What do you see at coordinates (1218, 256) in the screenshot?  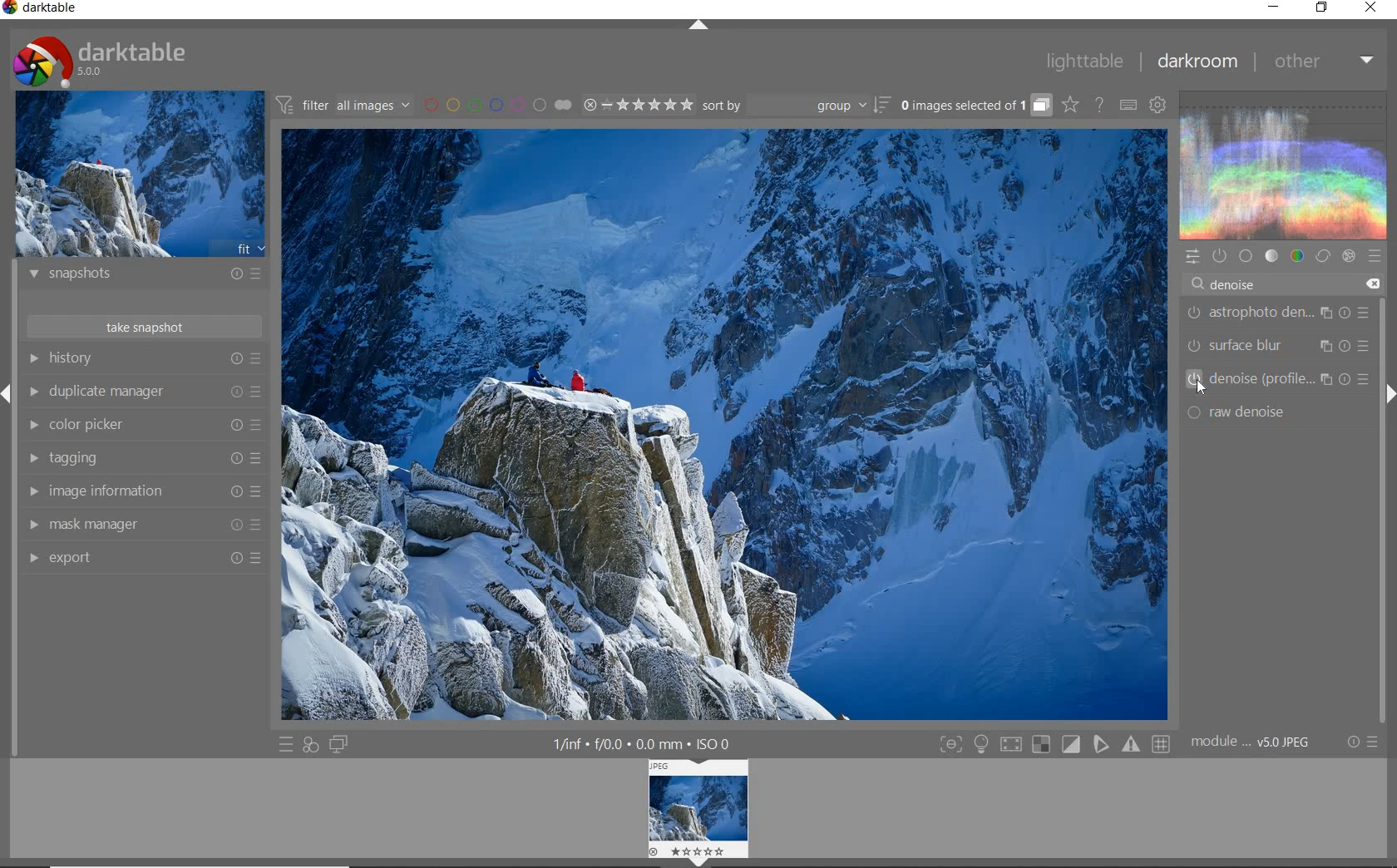 I see `show only active modules` at bounding box center [1218, 256].